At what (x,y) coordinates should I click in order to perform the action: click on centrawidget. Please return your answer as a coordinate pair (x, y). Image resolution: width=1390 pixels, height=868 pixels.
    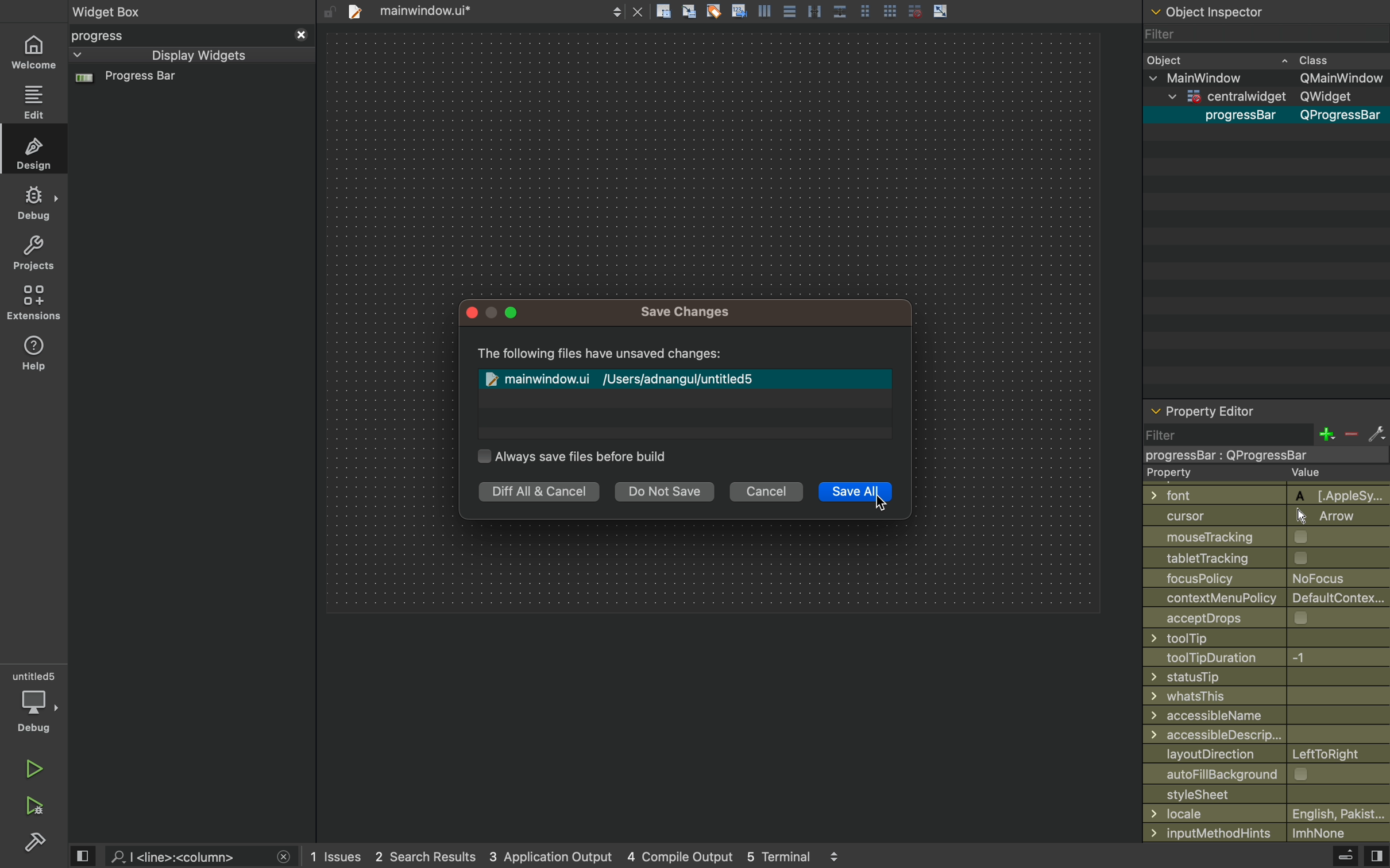
    Looking at the image, I should click on (1262, 96).